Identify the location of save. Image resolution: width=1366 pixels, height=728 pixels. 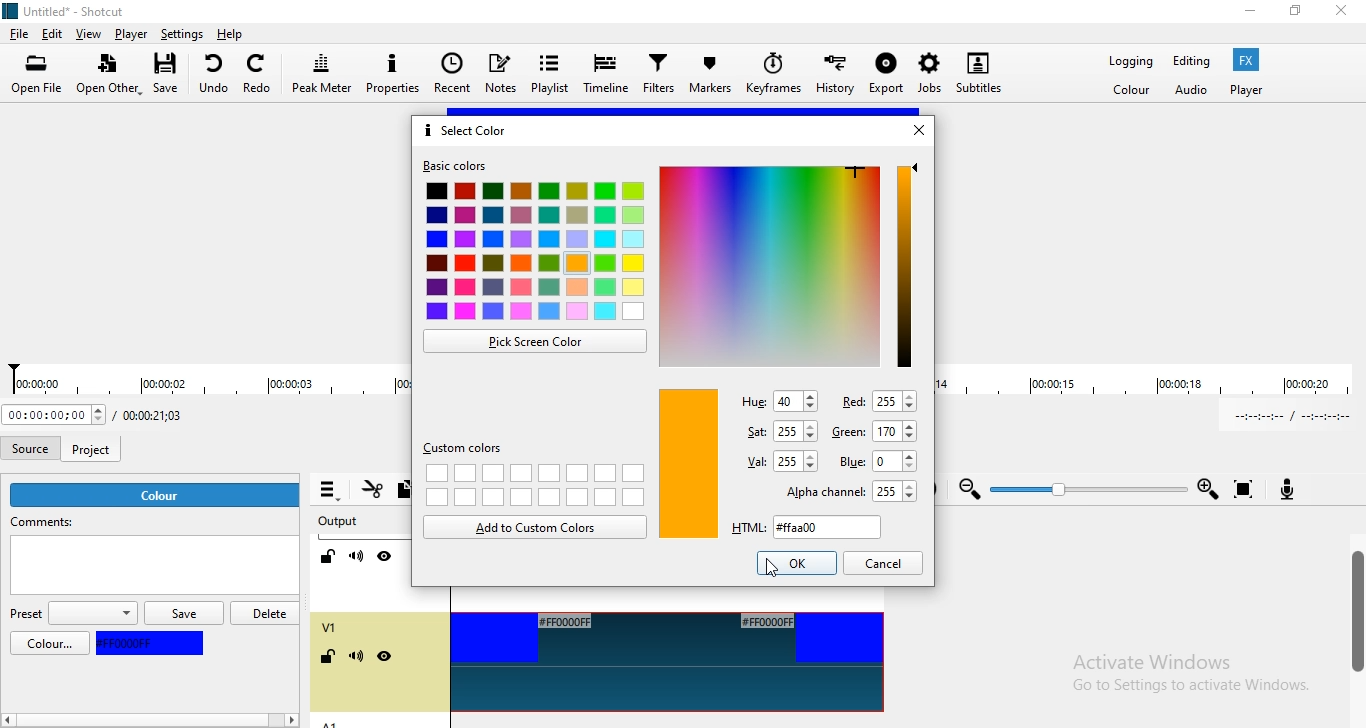
(183, 614).